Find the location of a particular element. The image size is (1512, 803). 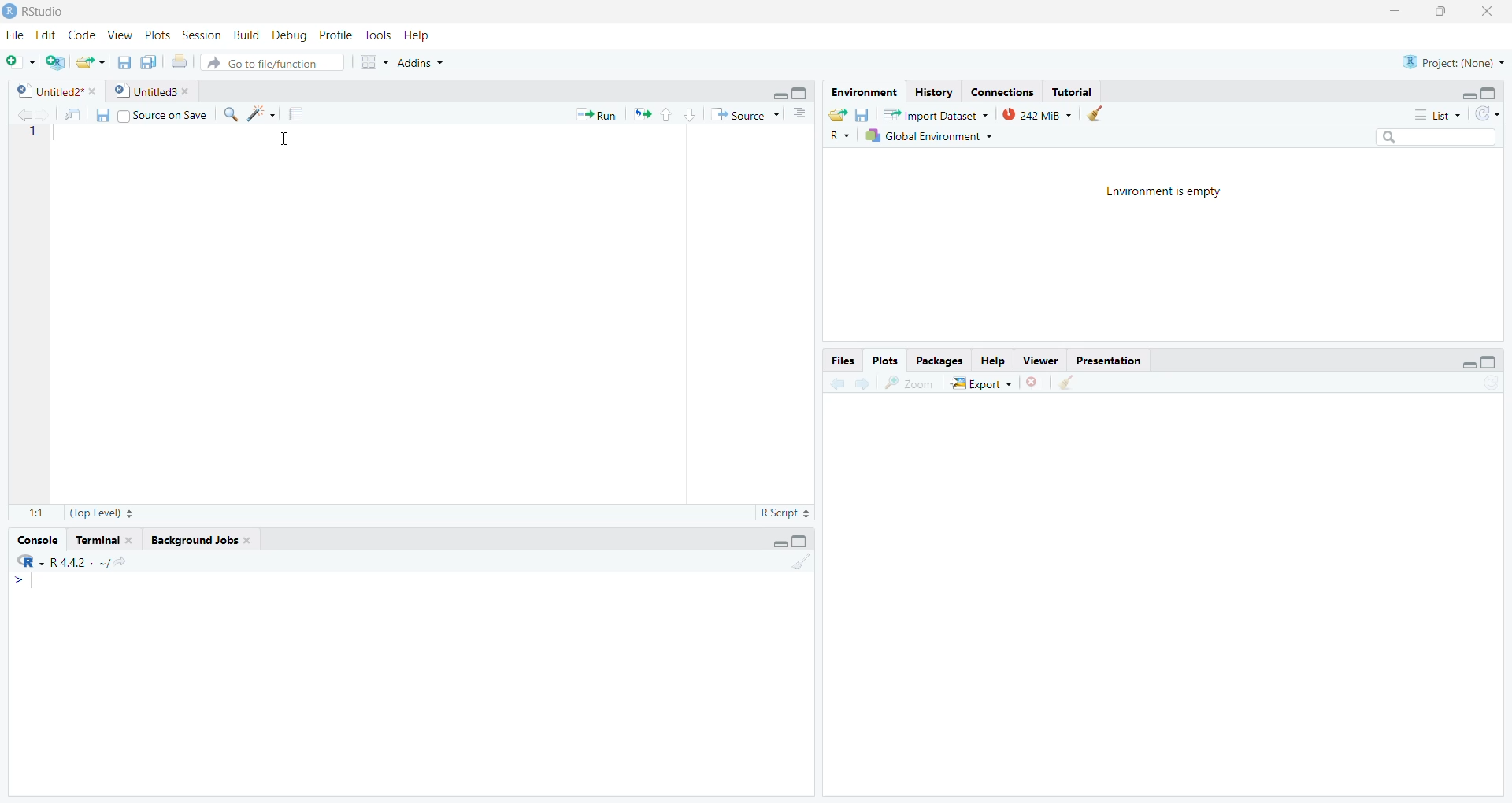

down is located at coordinates (688, 114).